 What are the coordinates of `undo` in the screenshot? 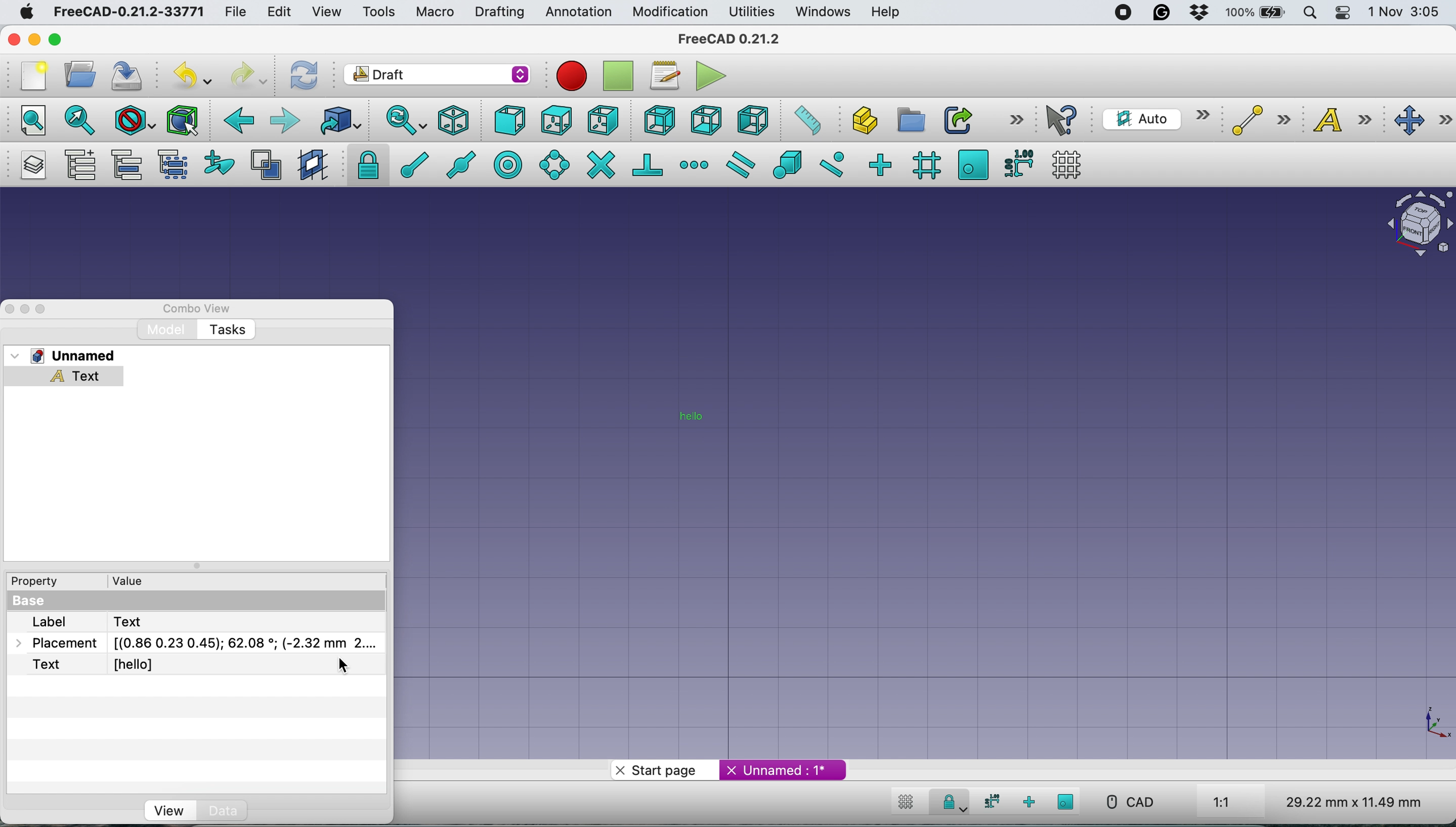 It's located at (197, 73).